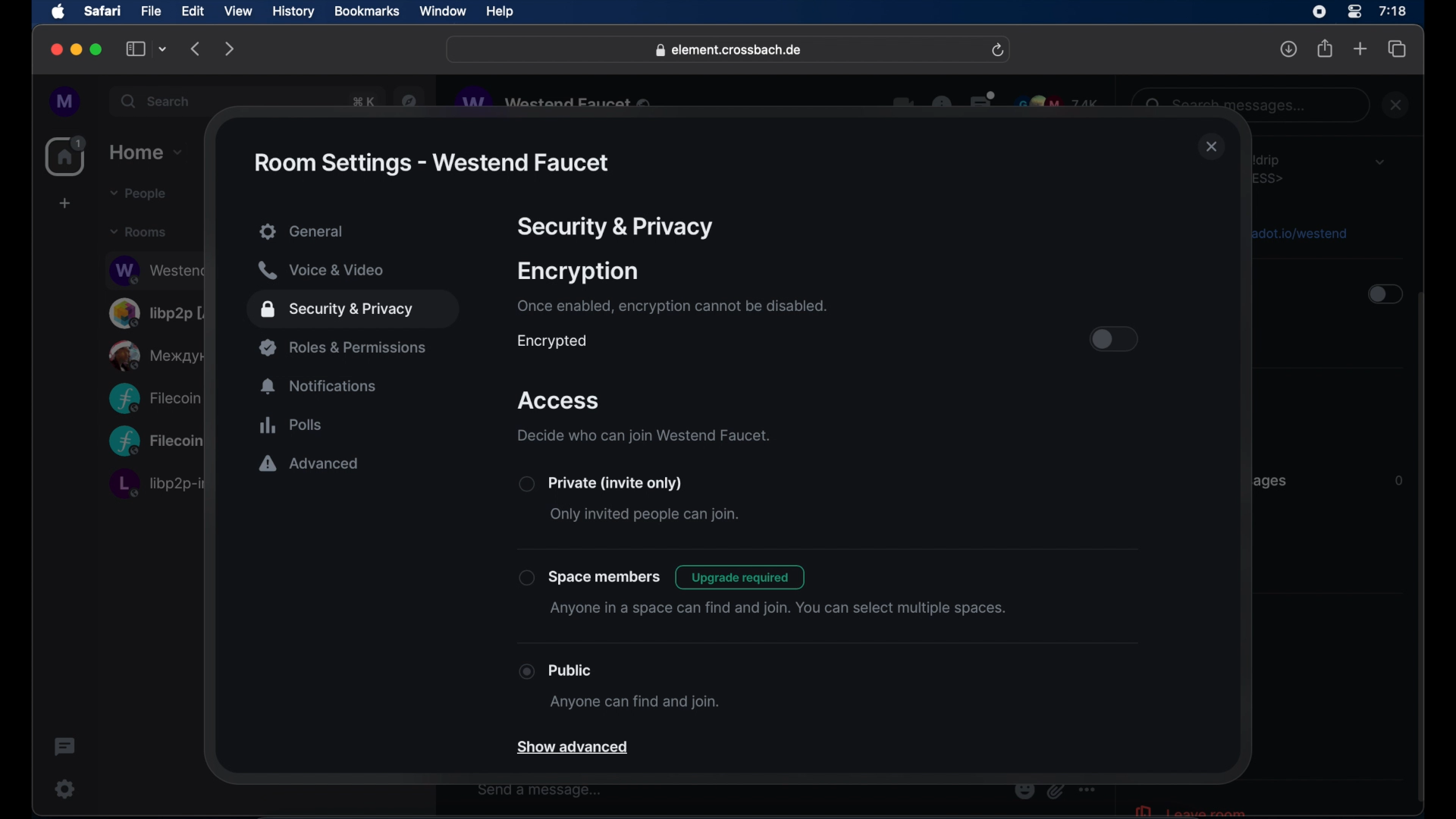 This screenshot has width=1456, height=819. Describe the element at coordinates (1272, 168) in the screenshot. I see `obscure` at that location.